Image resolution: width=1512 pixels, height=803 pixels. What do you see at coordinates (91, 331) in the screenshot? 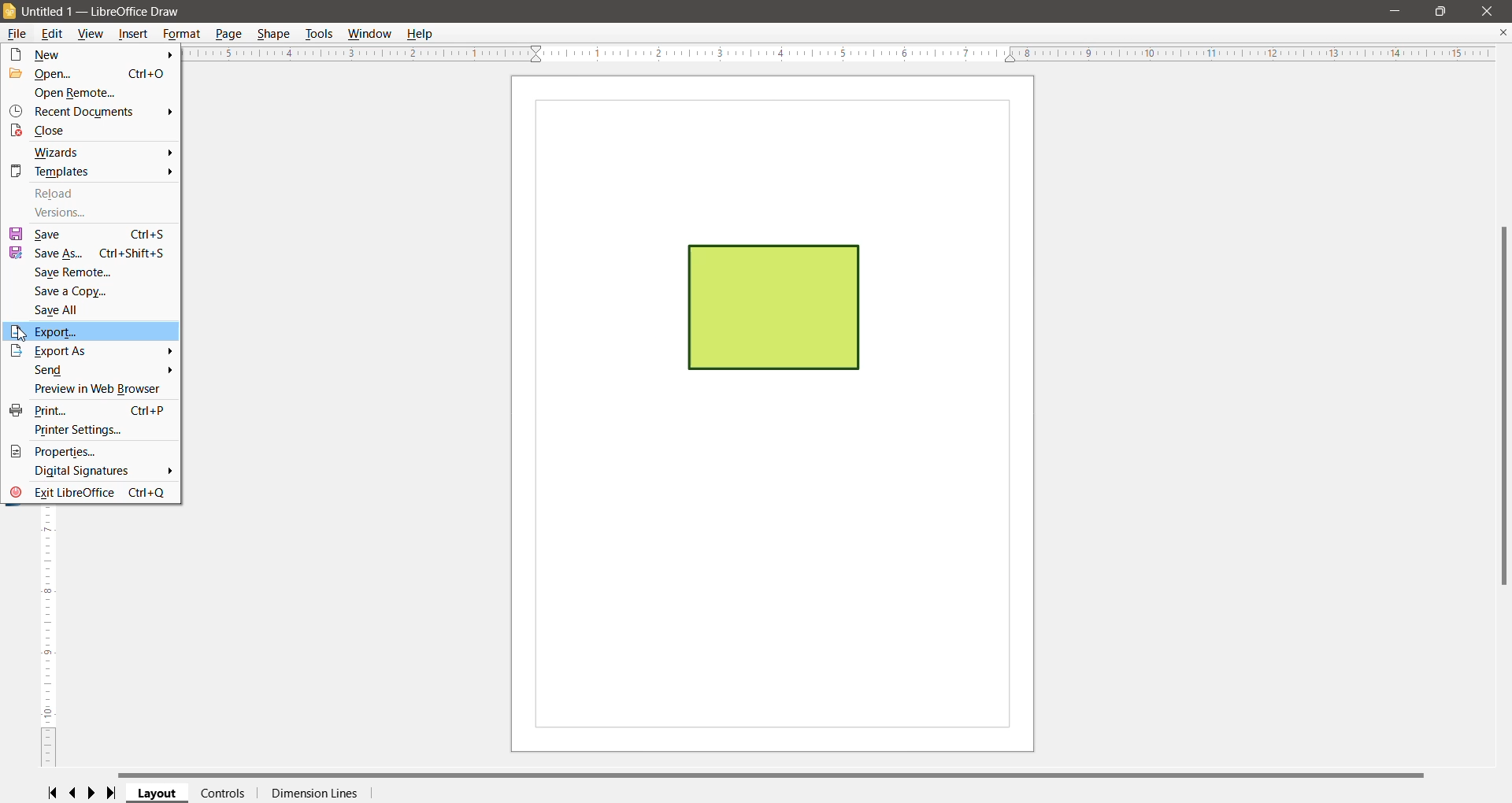
I see `Export` at bounding box center [91, 331].